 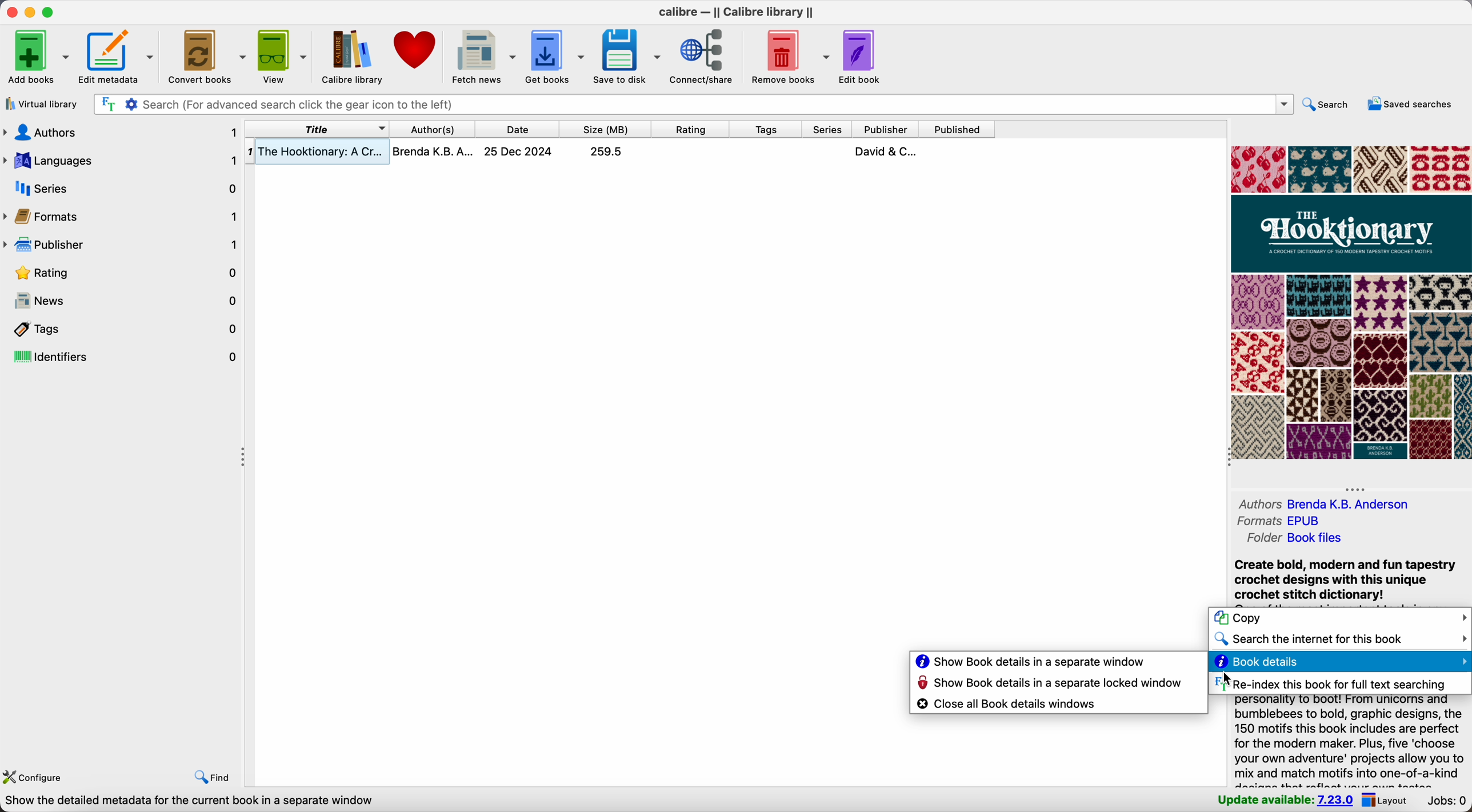 I want to click on edit metadata, so click(x=117, y=57).